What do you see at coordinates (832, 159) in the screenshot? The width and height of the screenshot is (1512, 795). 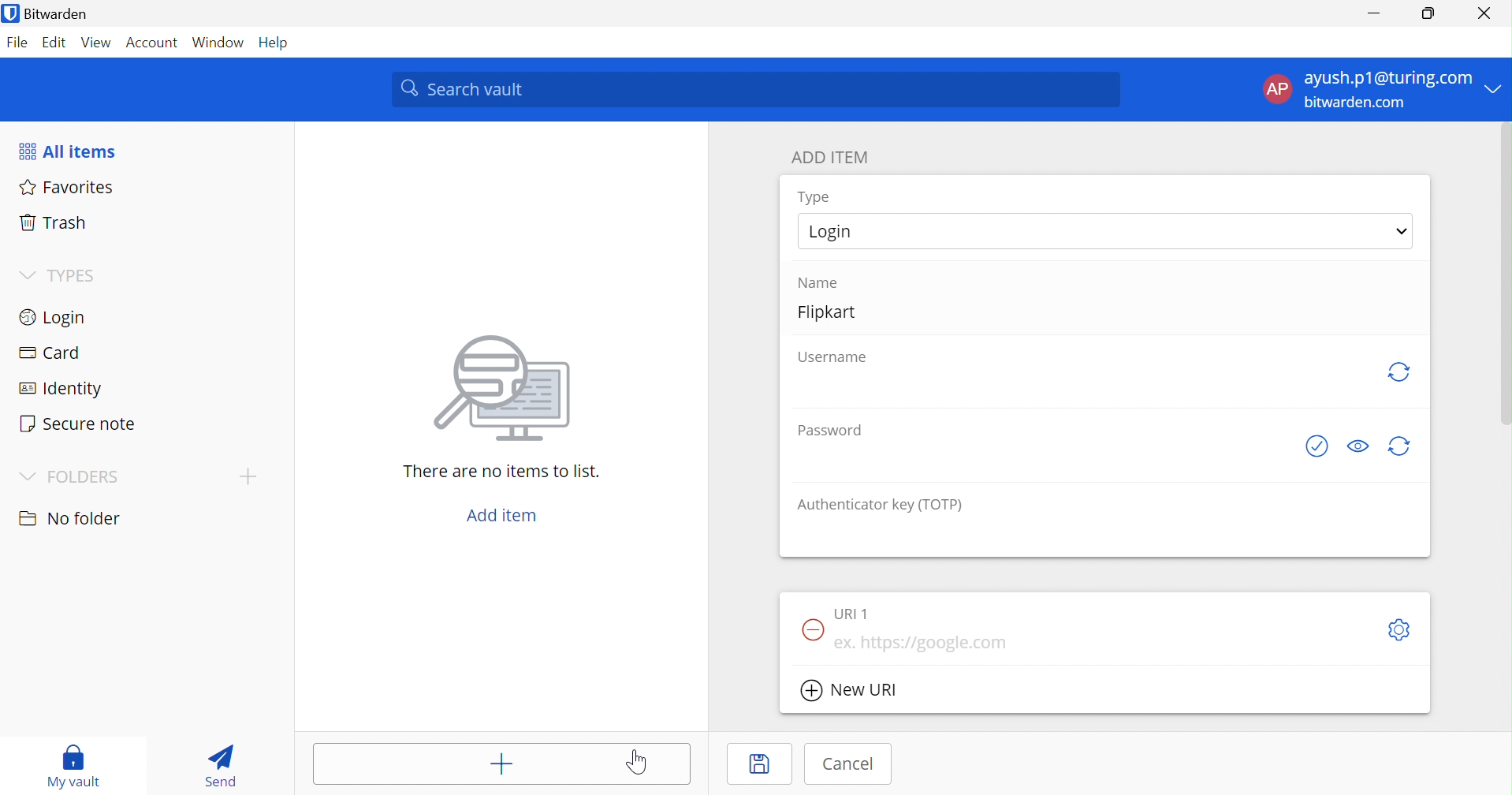 I see `ADD ITEM` at bounding box center [832, 159].